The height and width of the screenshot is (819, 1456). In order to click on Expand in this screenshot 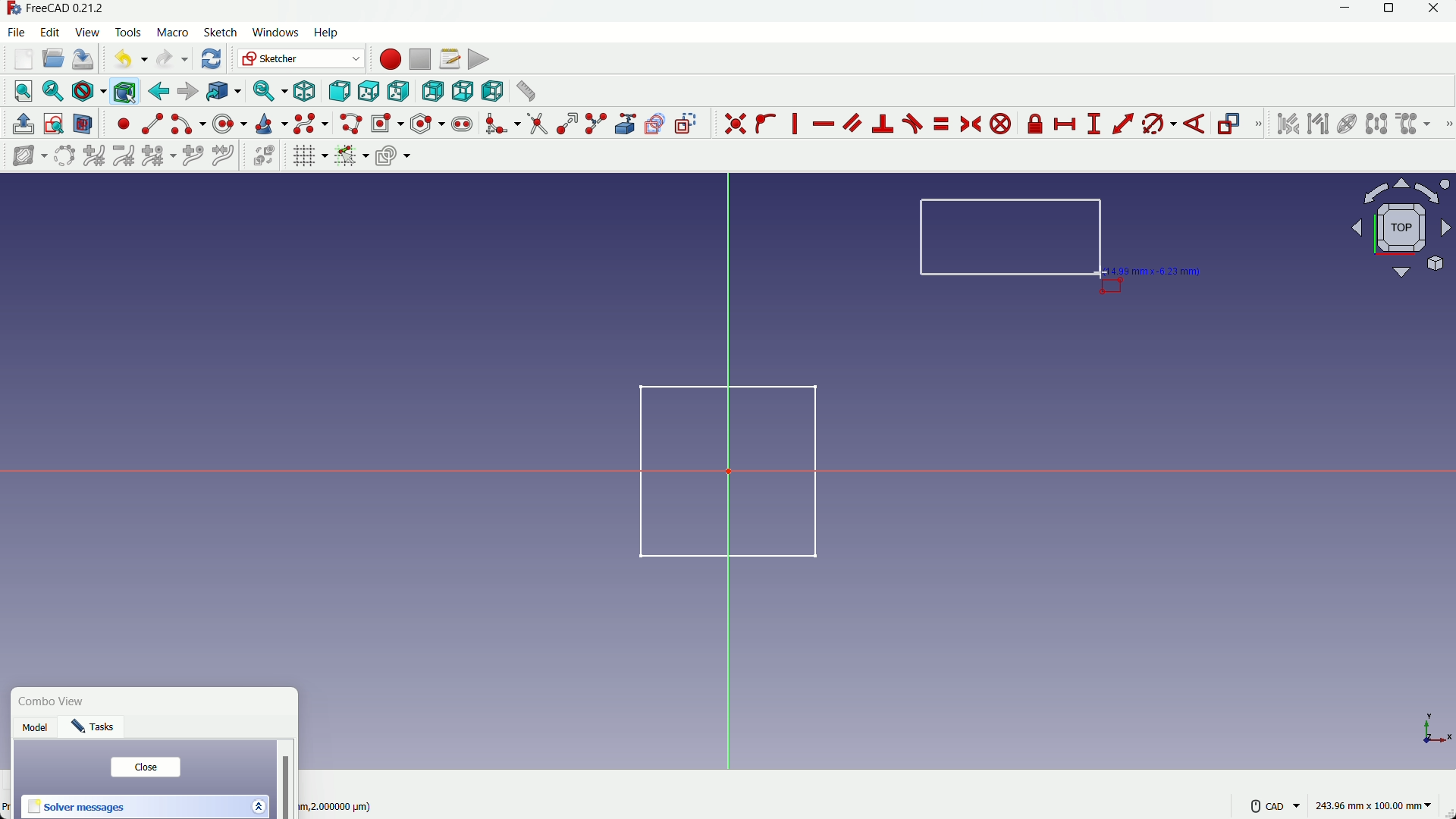, I will do `click(258, 805)`.